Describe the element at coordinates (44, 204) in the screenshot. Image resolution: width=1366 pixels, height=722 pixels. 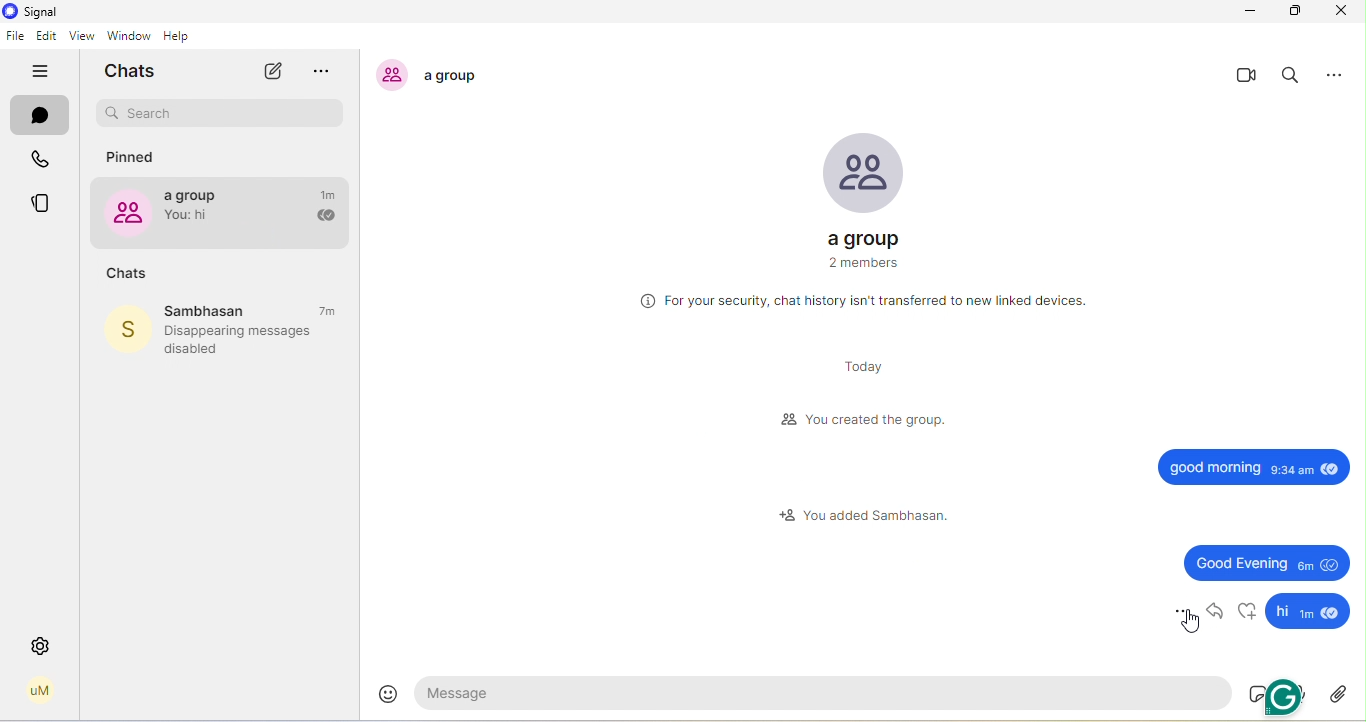
I see `status` at that location.